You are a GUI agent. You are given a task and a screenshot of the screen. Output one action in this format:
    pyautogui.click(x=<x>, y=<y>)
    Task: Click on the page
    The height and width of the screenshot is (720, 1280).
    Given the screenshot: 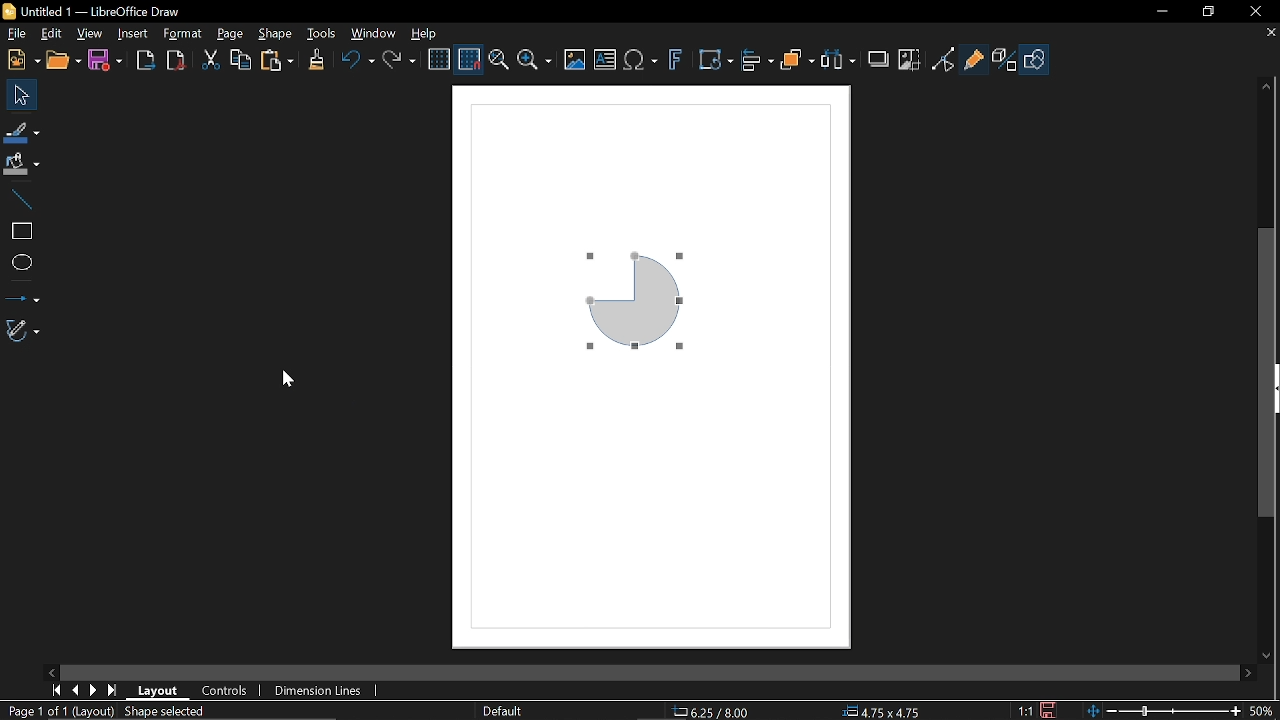 What is the action you would take?
    pyautogui.click(x=230, y=32)
    